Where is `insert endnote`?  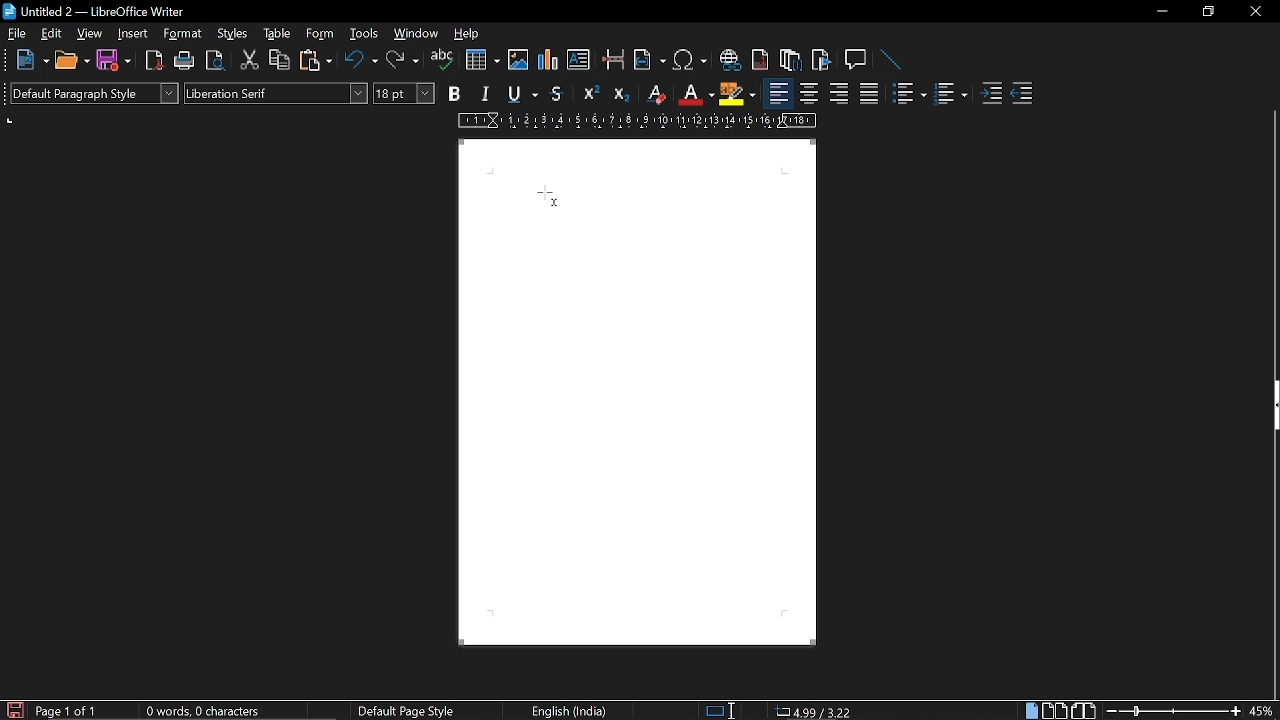
insert endnote is located at coordinates (789, 62).